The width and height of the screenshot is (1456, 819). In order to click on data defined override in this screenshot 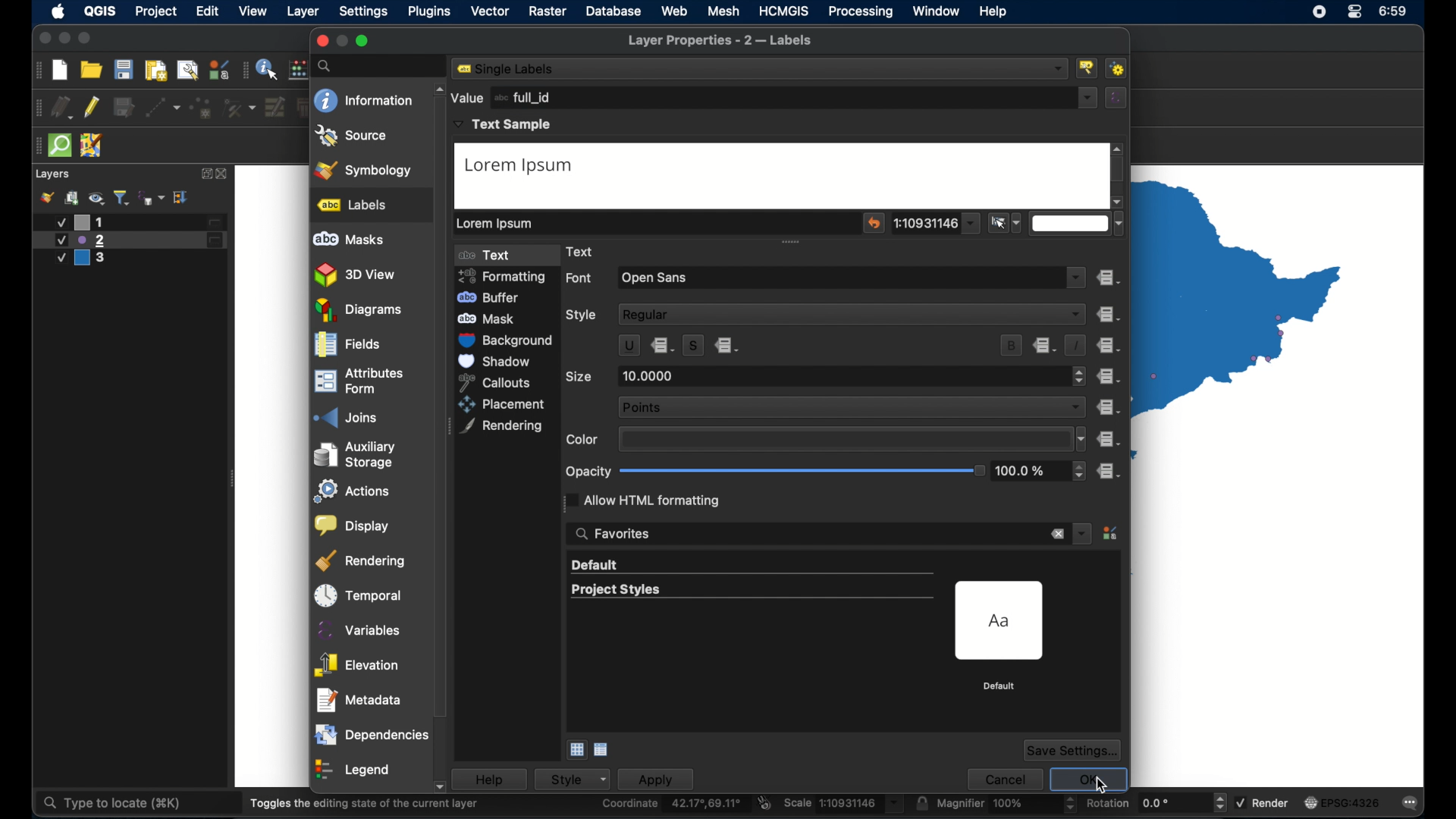, I will do `click(729, 346)`.